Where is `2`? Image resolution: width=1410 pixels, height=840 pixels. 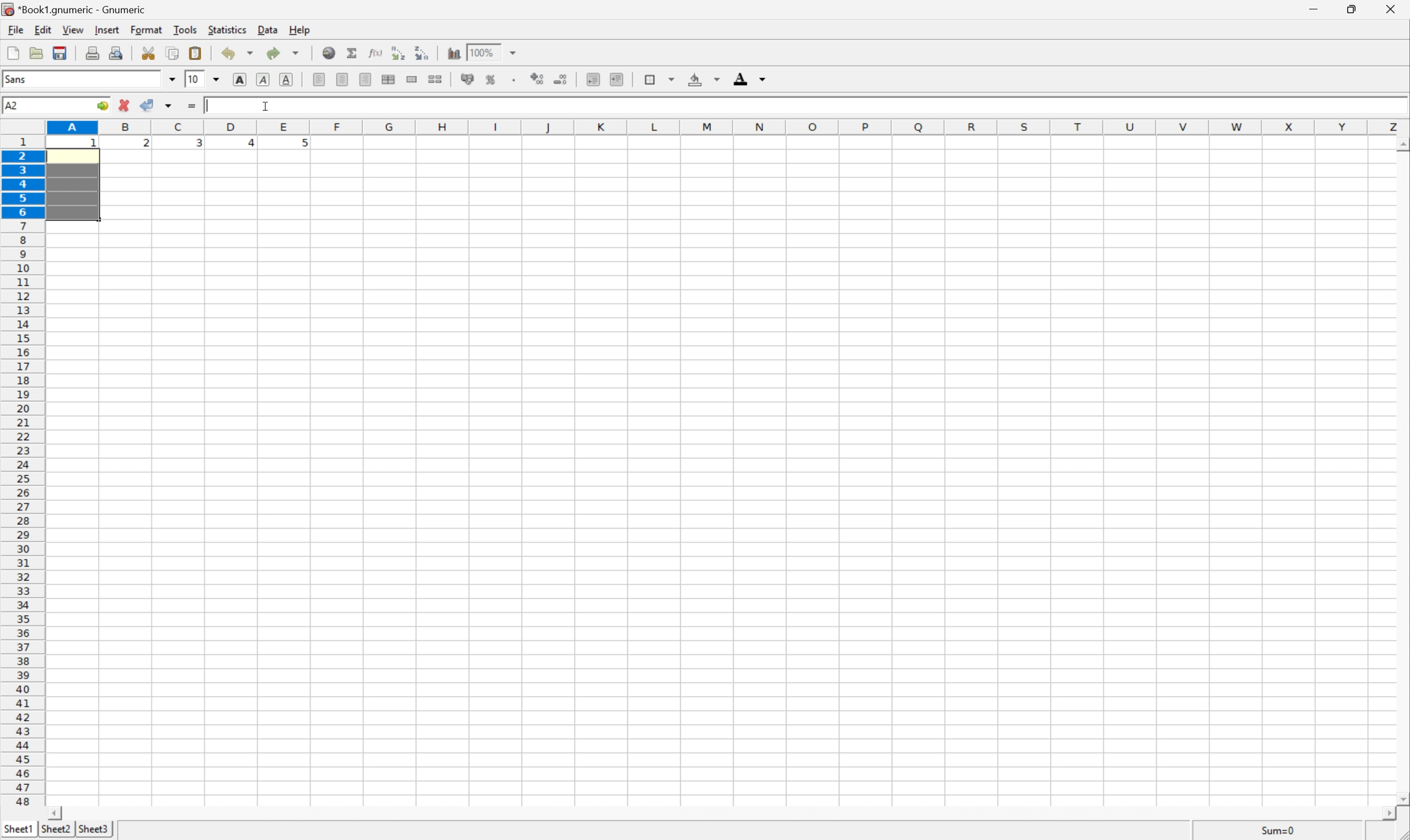 2 is located at coordinates (146, 145).